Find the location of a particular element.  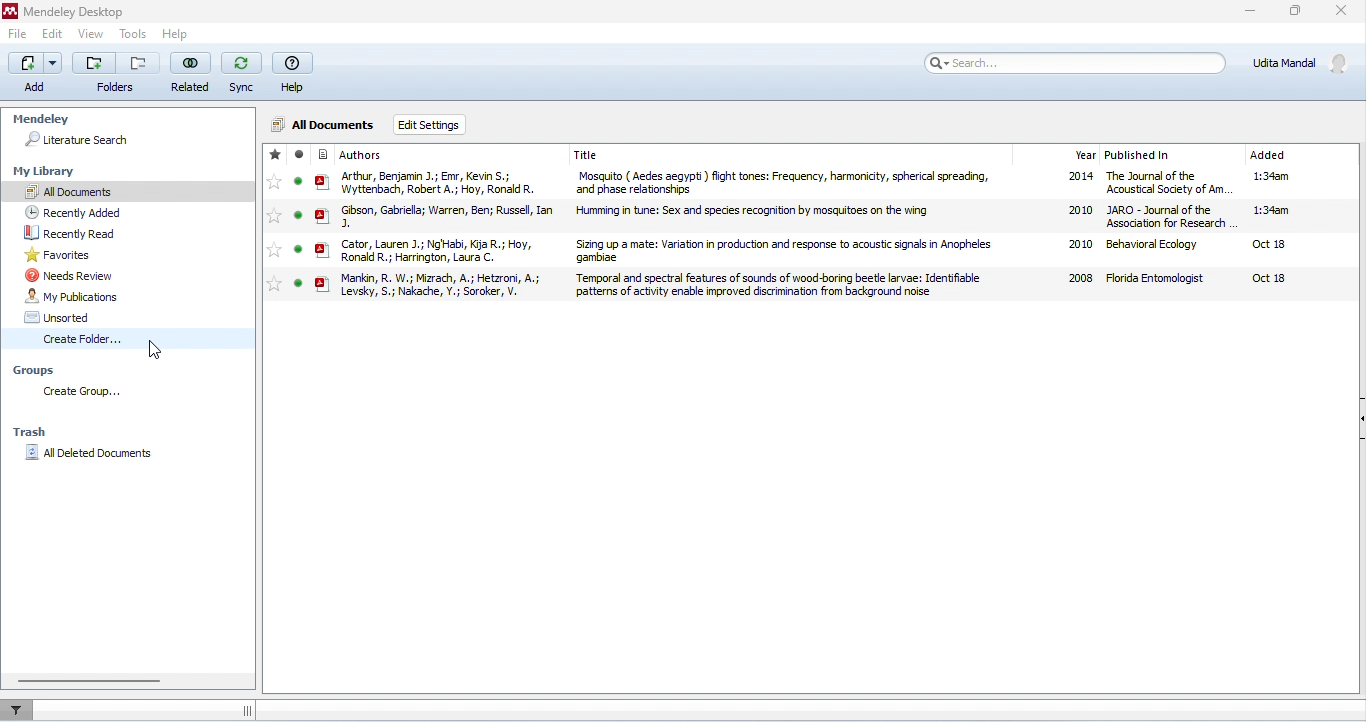

Mankin, R. W. Mizrach, A. Hetzroni, A. Levsky, S. Nakache, Y. Soroker, V. is located at coordinates (443, 283).